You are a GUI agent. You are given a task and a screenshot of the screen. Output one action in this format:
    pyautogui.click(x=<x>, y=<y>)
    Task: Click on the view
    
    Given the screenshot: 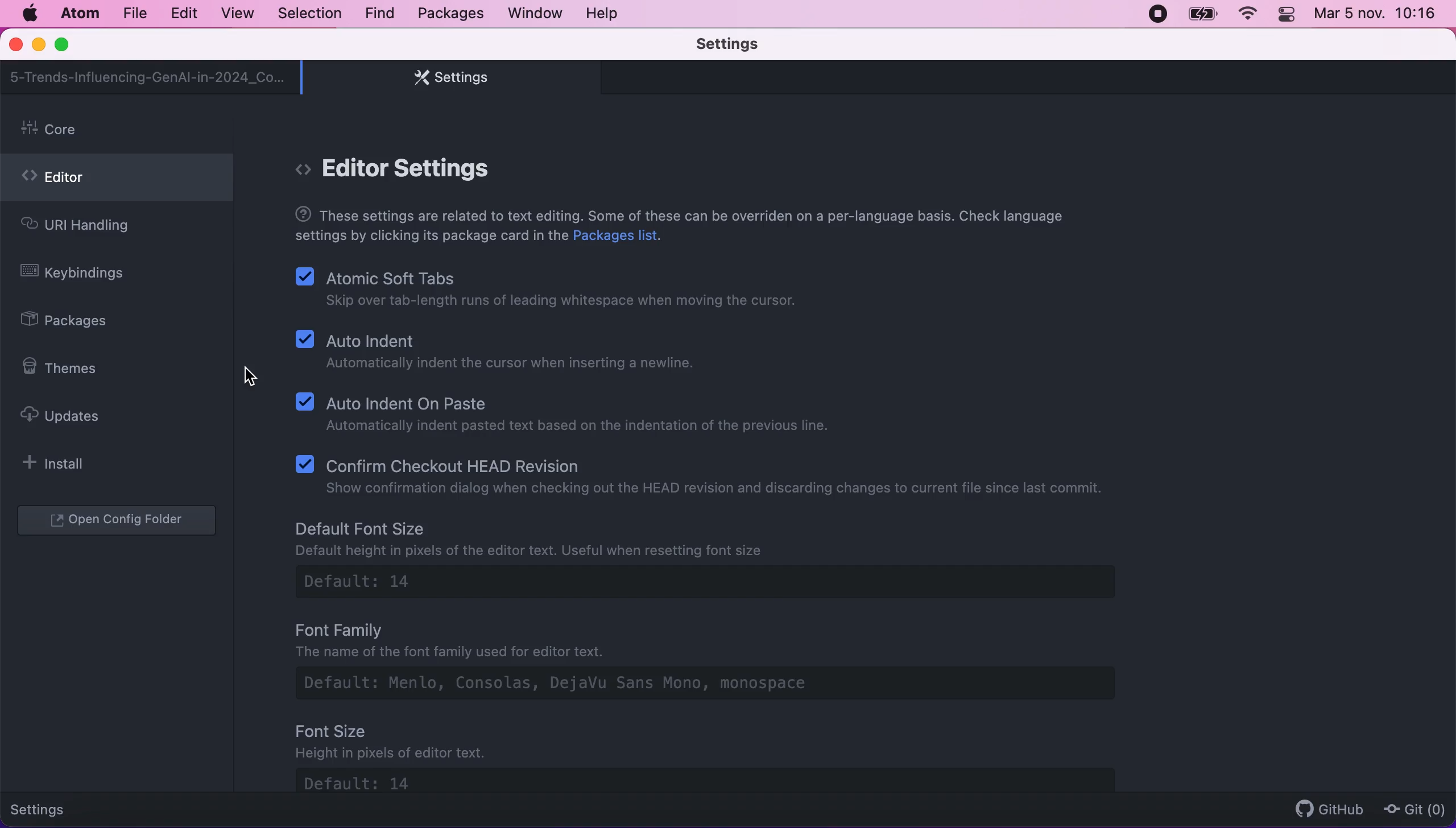 What is the action you would take?
    pyautogui.click(x=234, y=14)
    